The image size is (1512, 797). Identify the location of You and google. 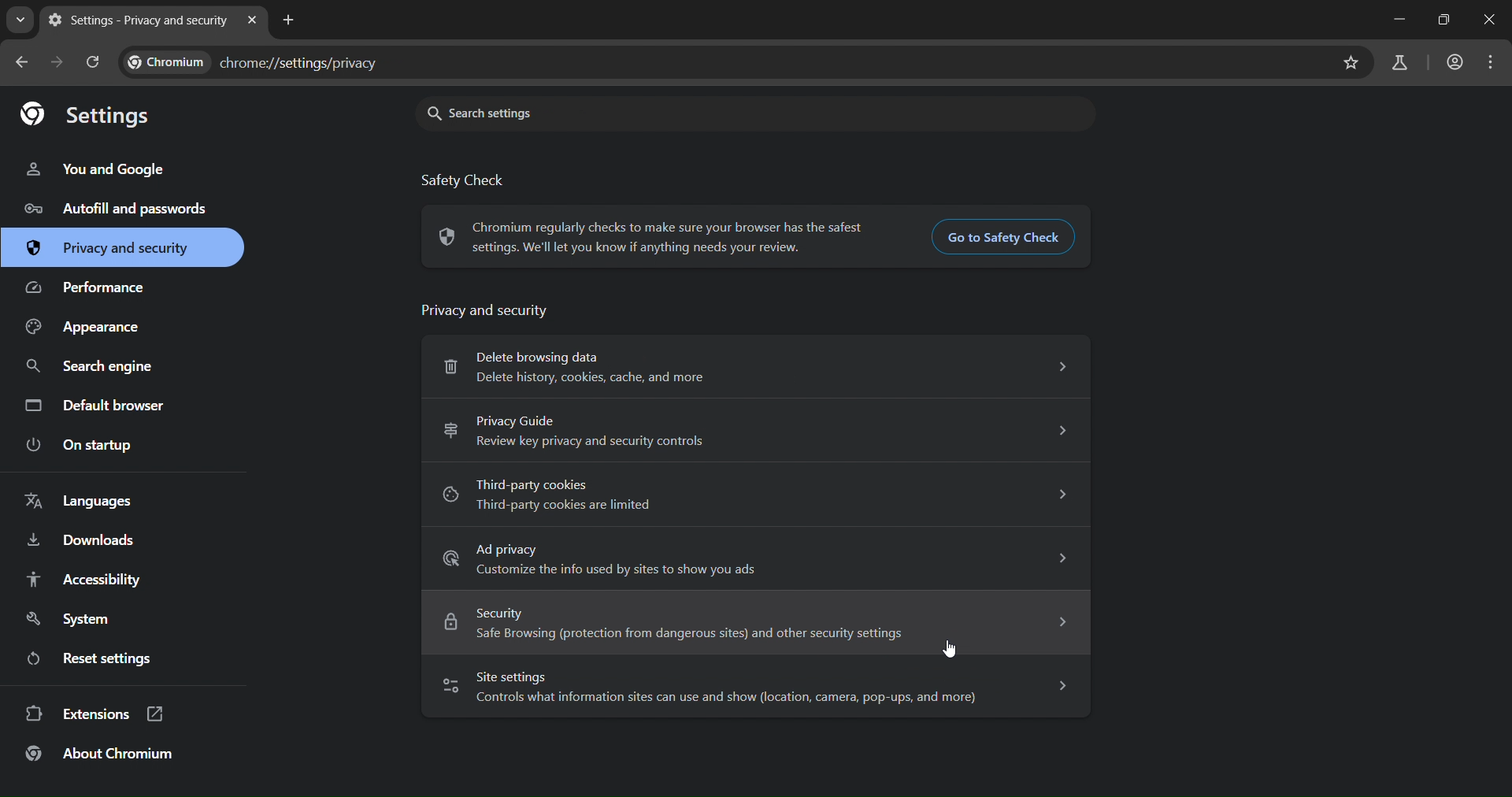
(93, 172).